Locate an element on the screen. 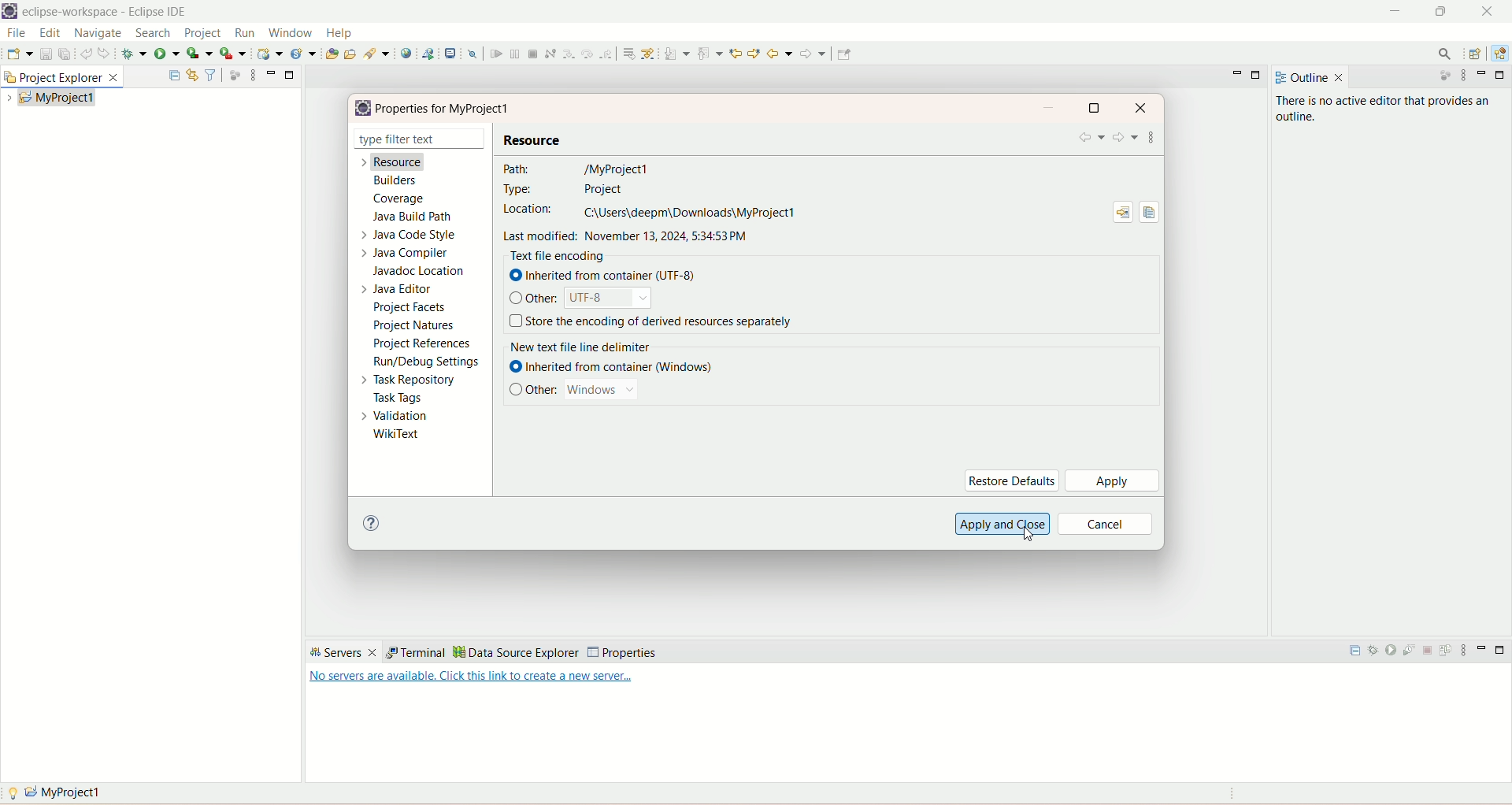 The height and width of the screenshot is (805, 1512). open a web browser is located at coordinates (409, 54).